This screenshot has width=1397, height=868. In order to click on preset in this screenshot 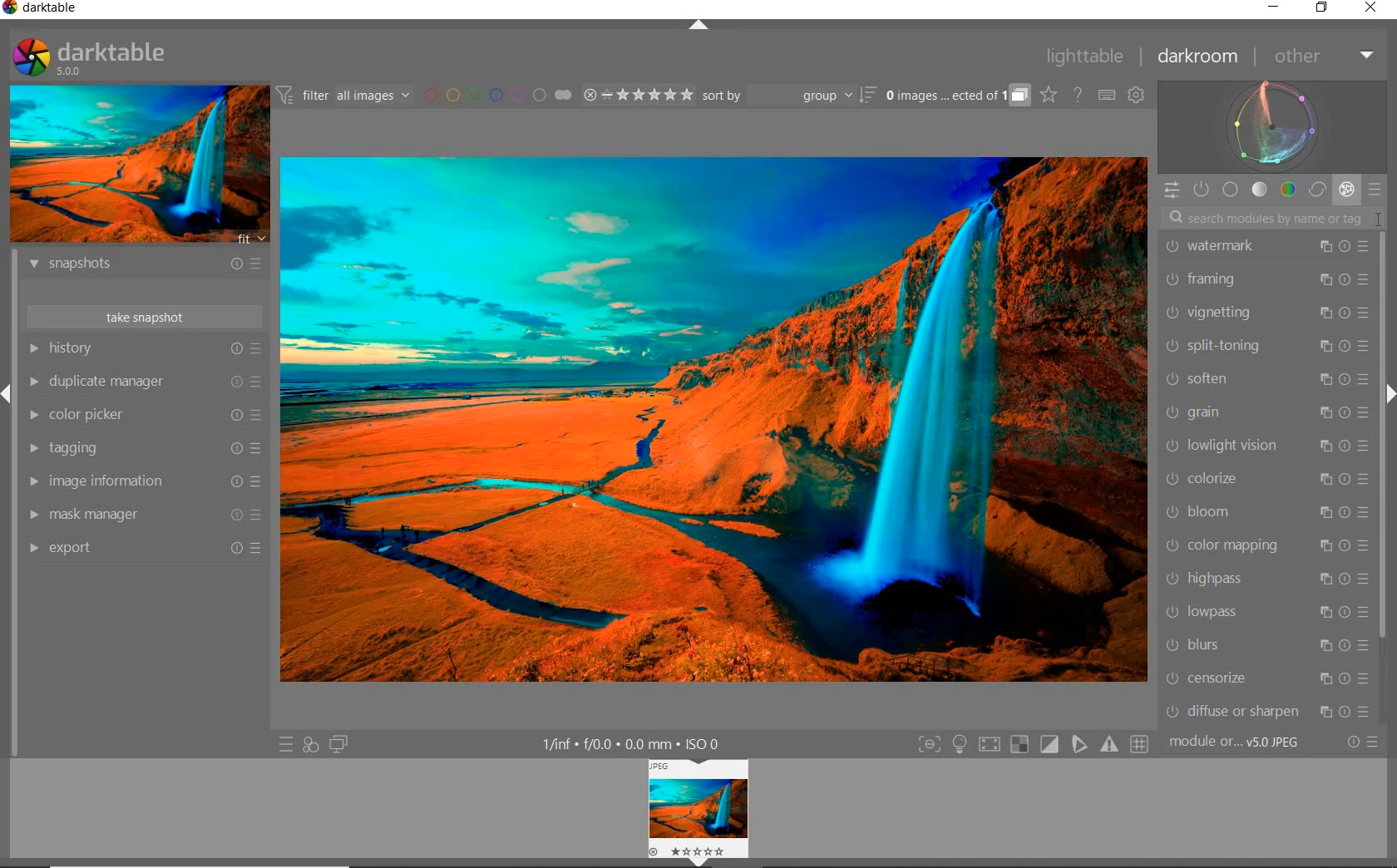, I will do `click(1376, 187)`.